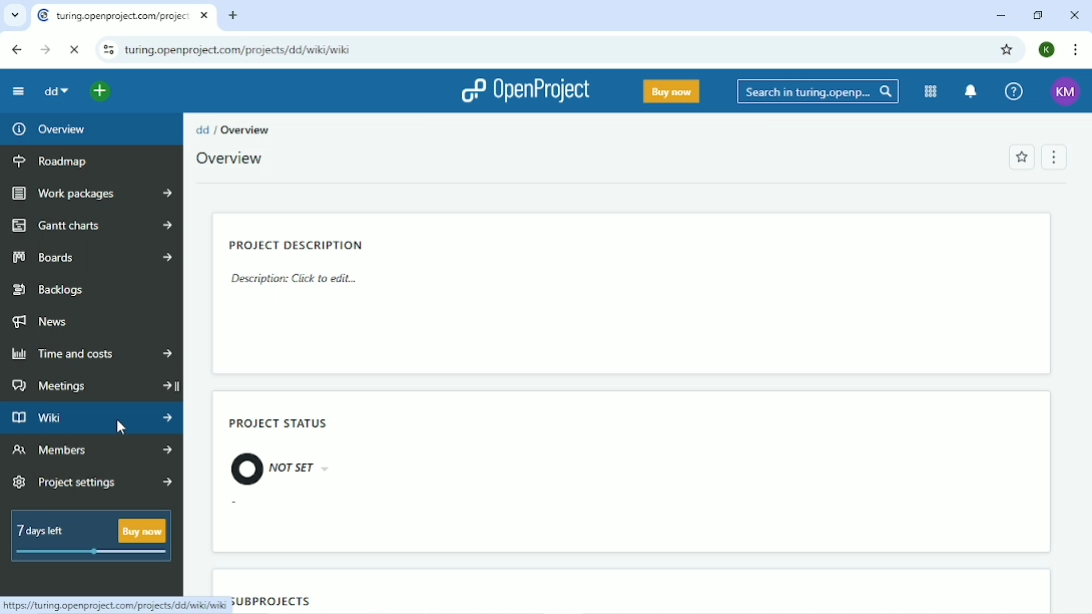 The width and height of the screenshot is (1092, 614). Describe the element at coordinates (91, 258) in the screenshot. I see `Boards` at that location.